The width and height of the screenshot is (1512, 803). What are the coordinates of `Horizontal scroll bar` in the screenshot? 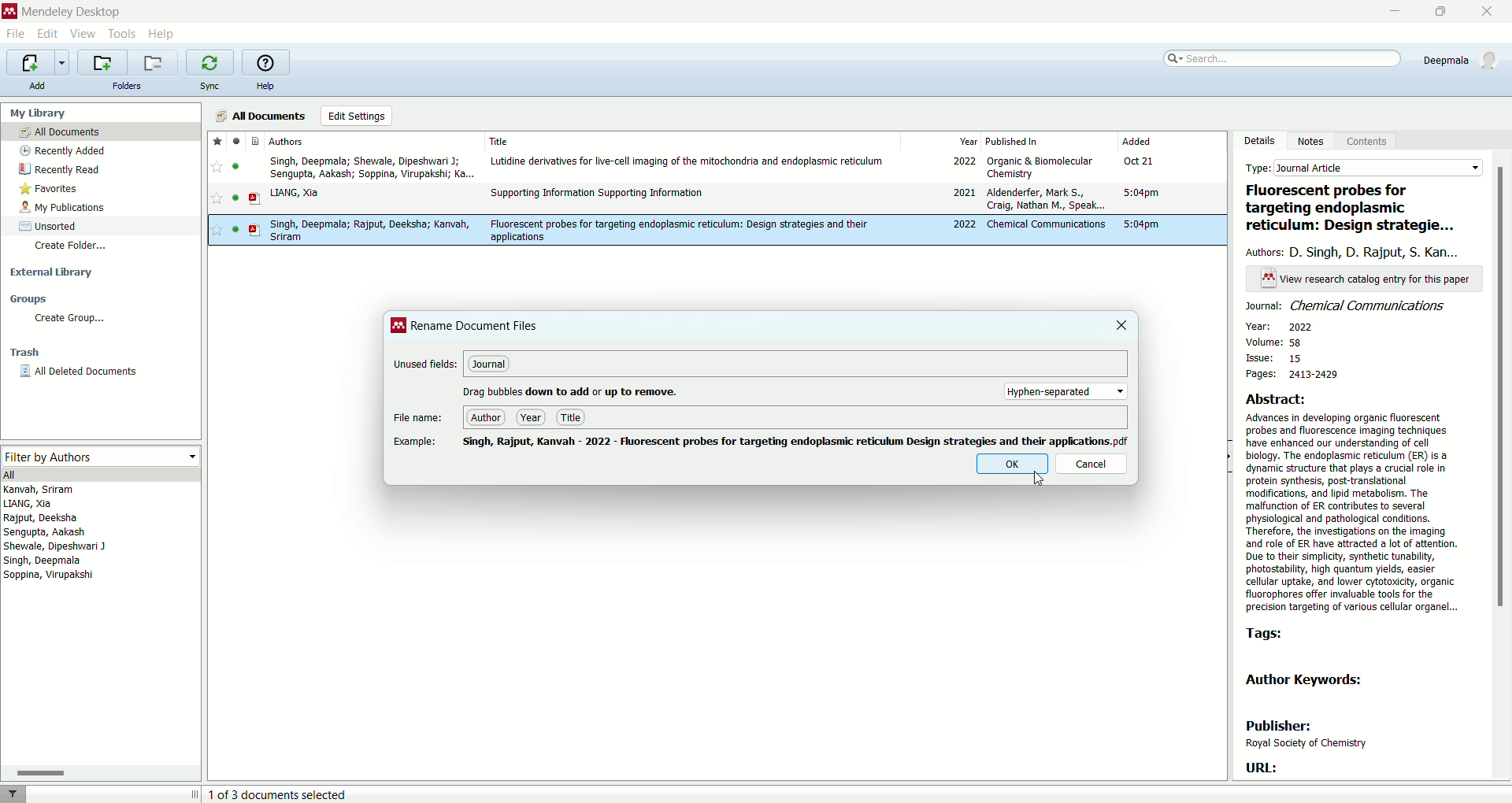 It's located at (101, 772).